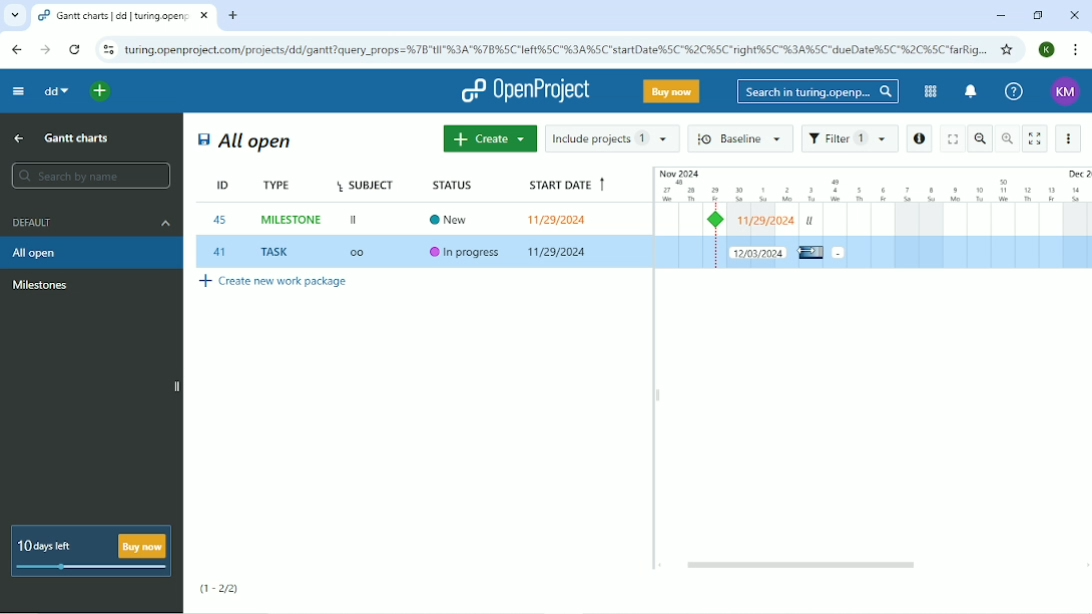 This screenshot has width=1092, height=614. Describe the element at coordinates (804, 565) in the screenshot. I see `Horizontal scrollbar` at that location.